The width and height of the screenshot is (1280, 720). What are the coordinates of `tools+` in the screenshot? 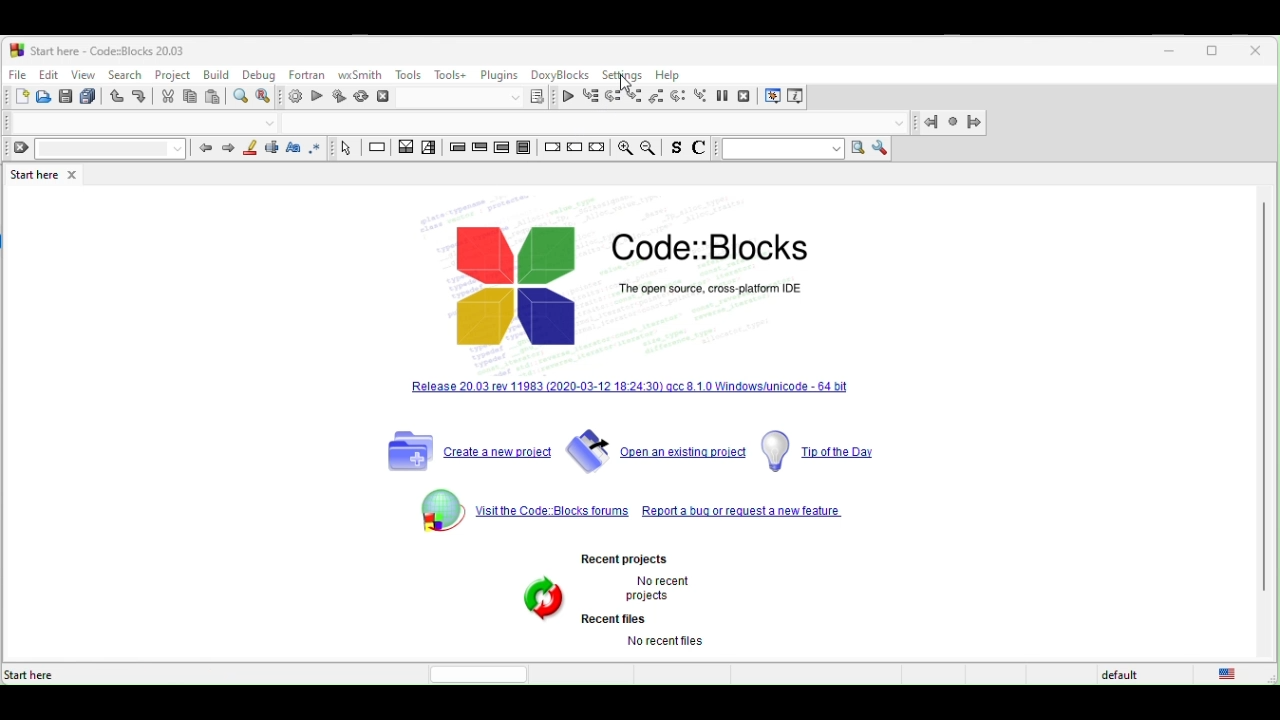 It's located at (452, 74).